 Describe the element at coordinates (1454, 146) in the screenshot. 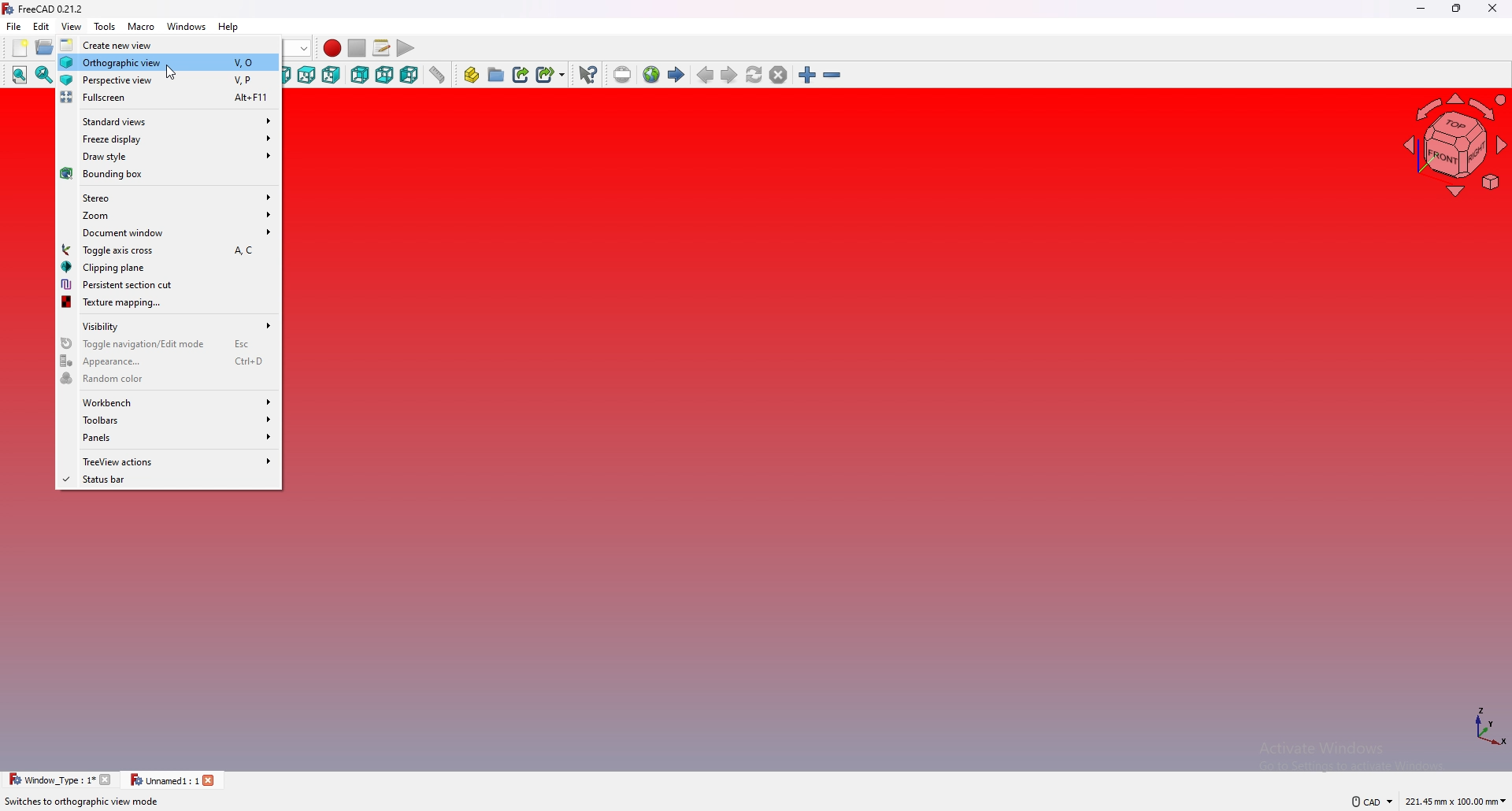

I see `navigating cube` at that location.